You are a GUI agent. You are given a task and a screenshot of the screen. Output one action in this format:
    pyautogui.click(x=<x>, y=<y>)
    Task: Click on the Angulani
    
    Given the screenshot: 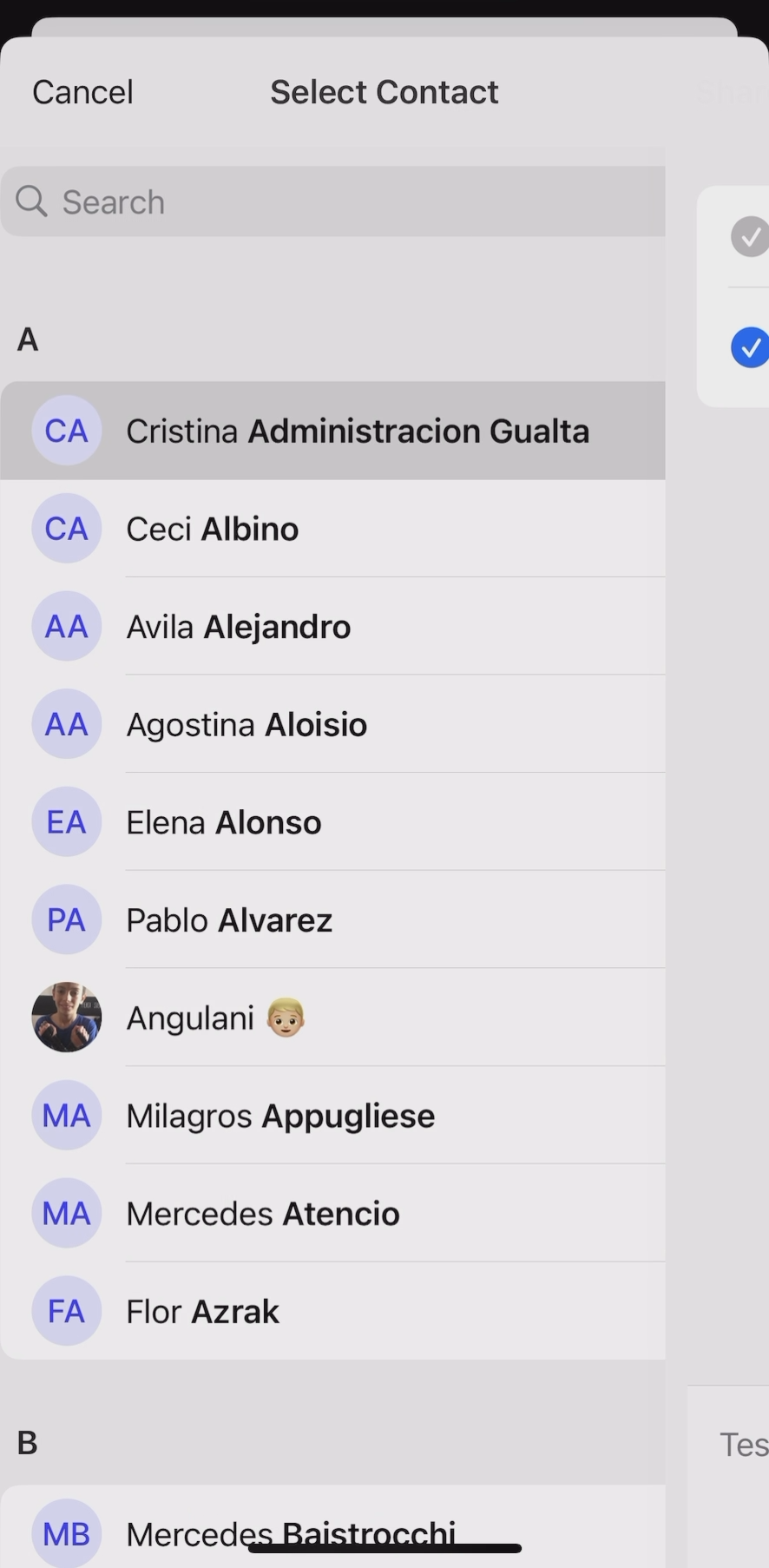 What is the action you would take?
    pyautogui.click(x=141, y=1017)
    